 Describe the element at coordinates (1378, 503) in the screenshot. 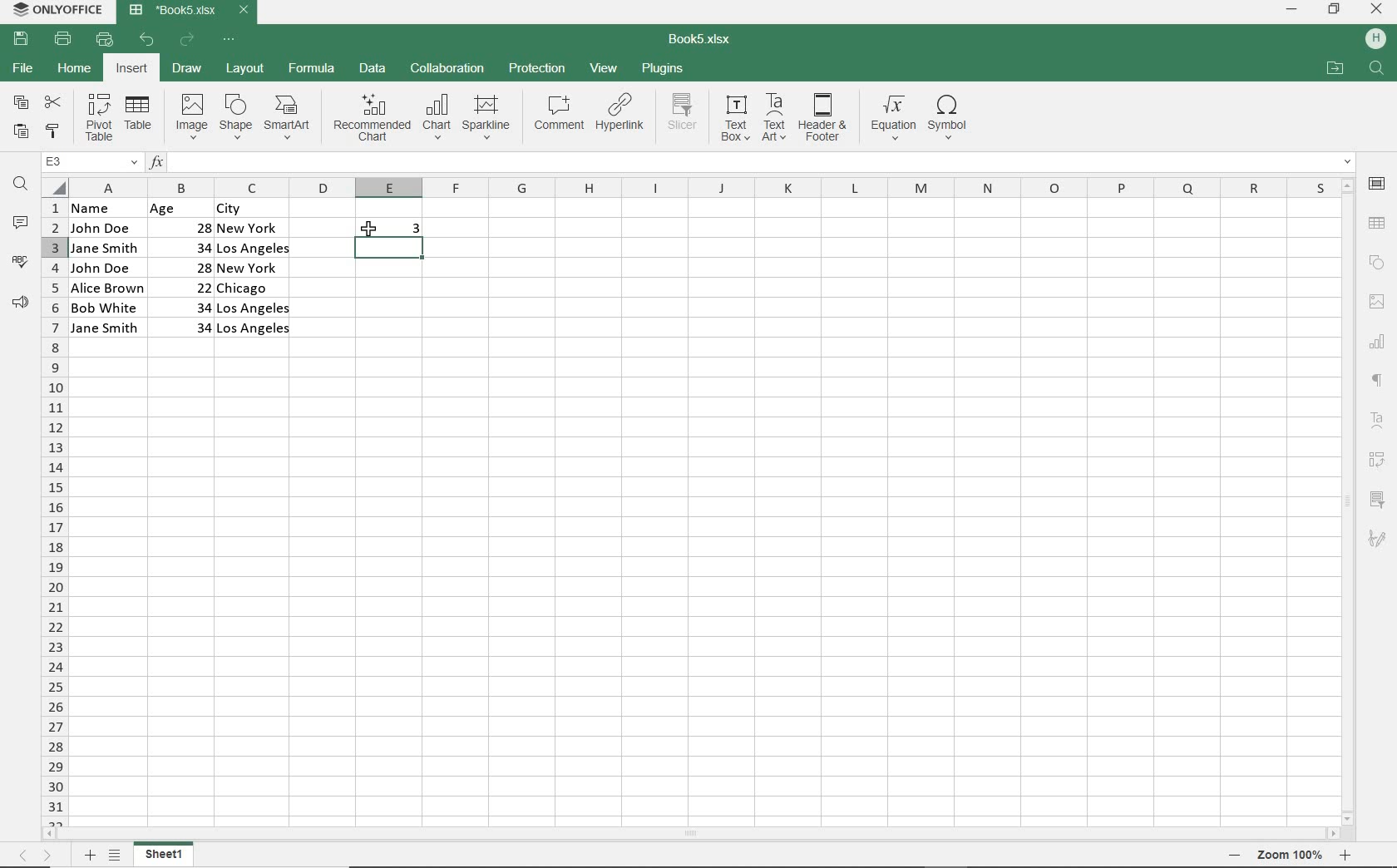

I see `SLICER` at that location.